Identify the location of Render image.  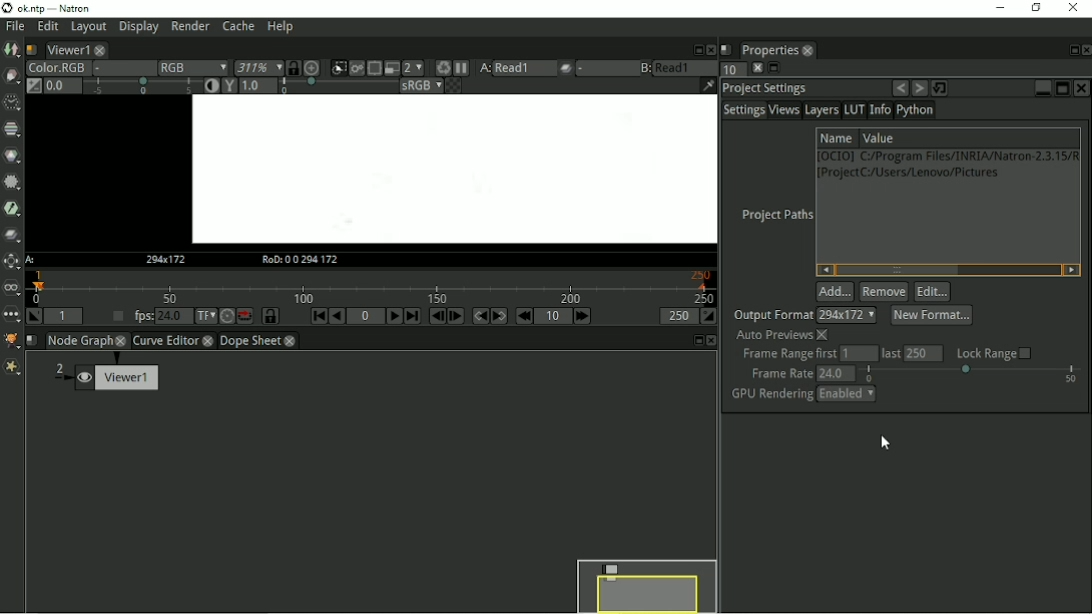
(357, 69).